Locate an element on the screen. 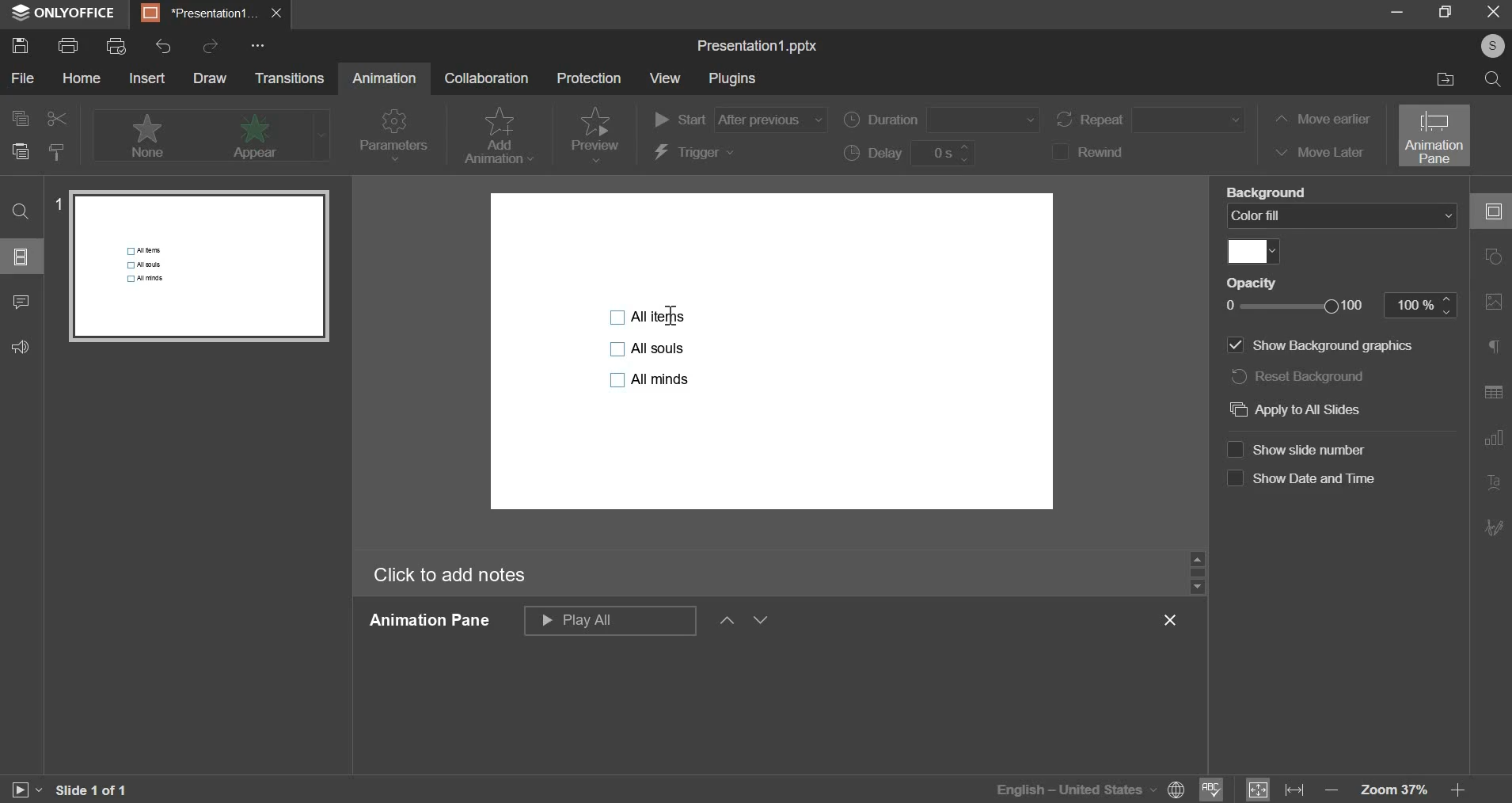  search is located at coordinates (1495, 78).